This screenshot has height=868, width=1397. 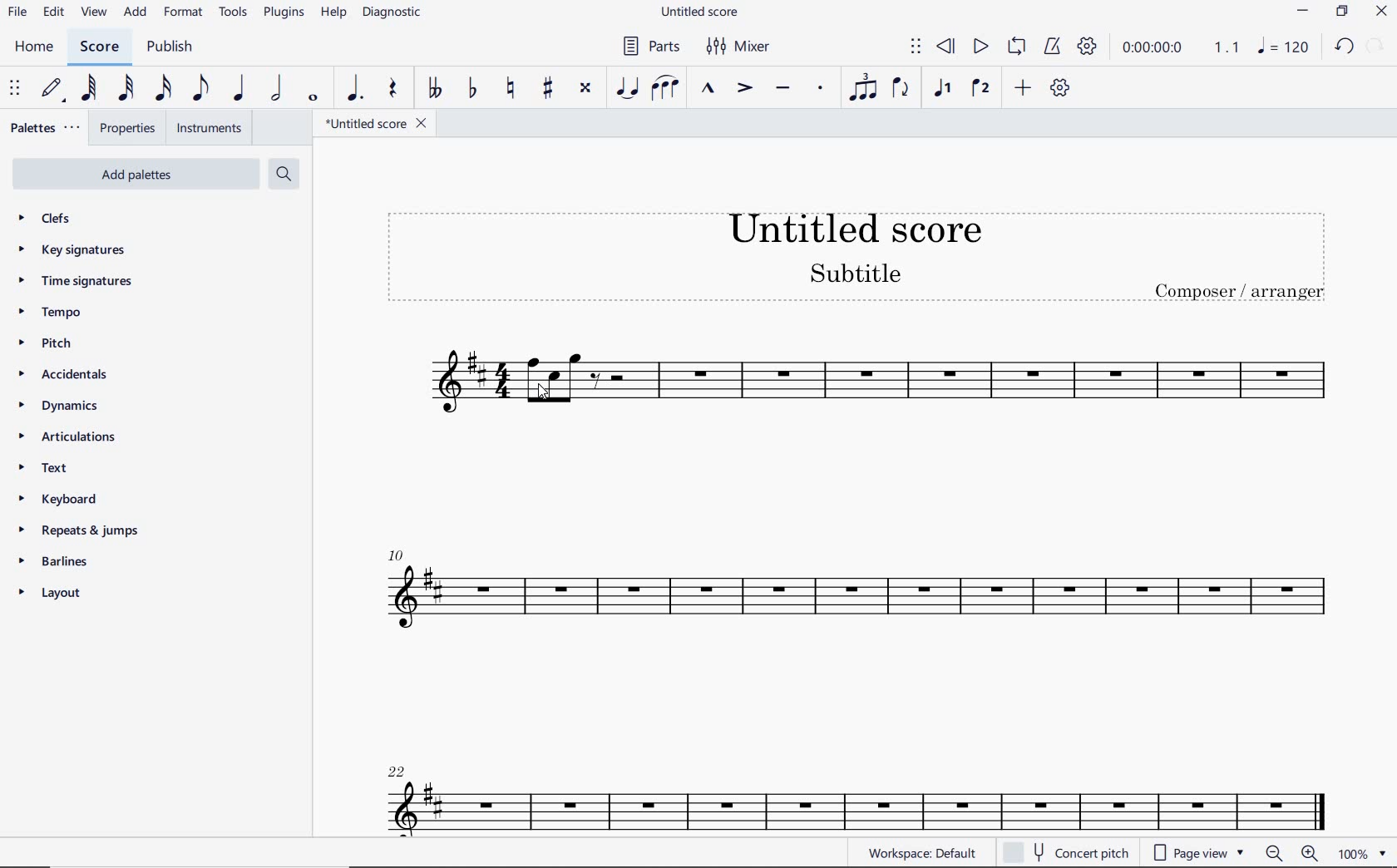 I want to click on REWIND, so click(x=949, y=46).